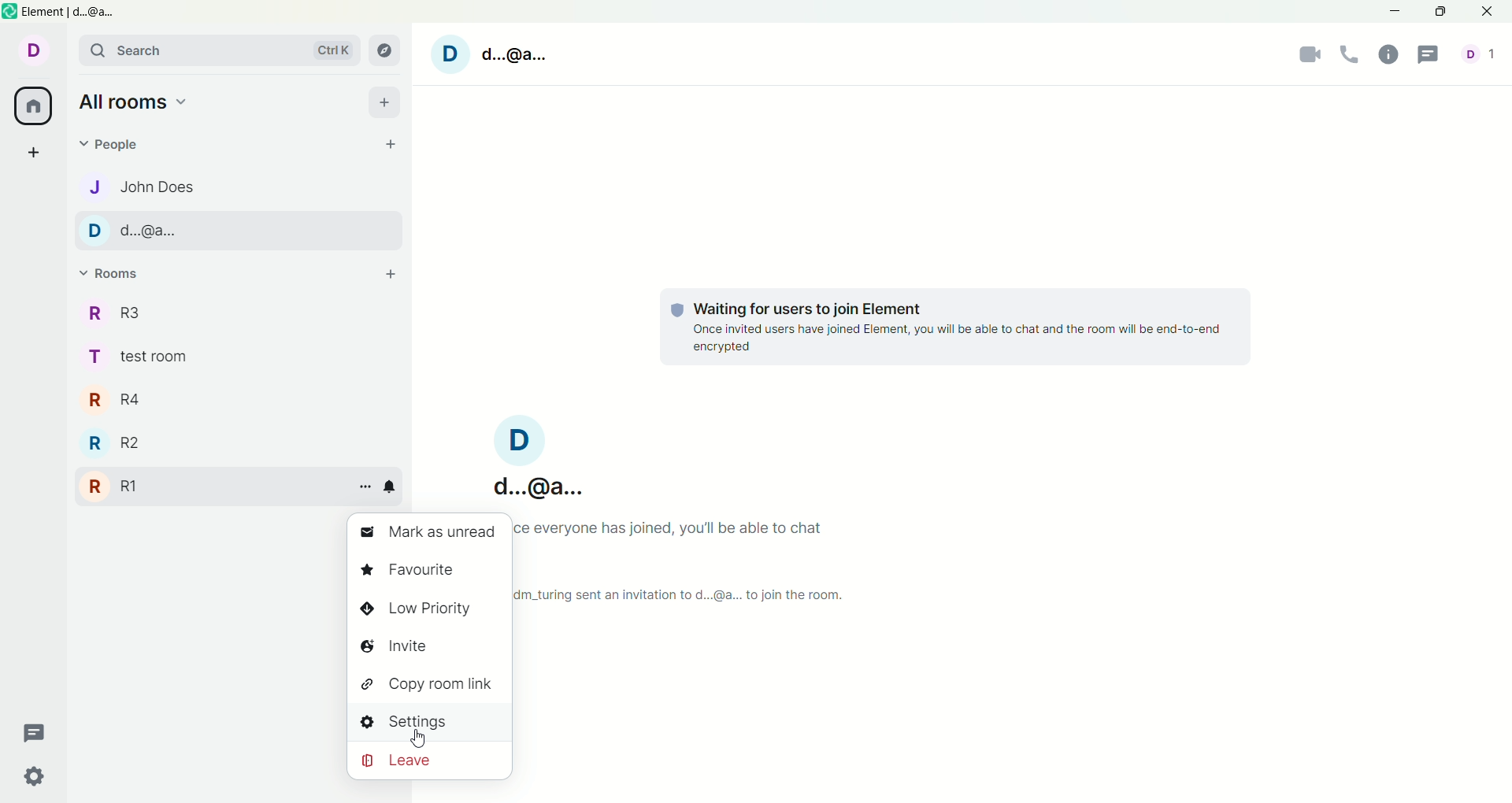 The height and width of the screenshot is (803, 1512). Describe the element at coordinates (387, 274) in the screenshot. I see `add` at that location.